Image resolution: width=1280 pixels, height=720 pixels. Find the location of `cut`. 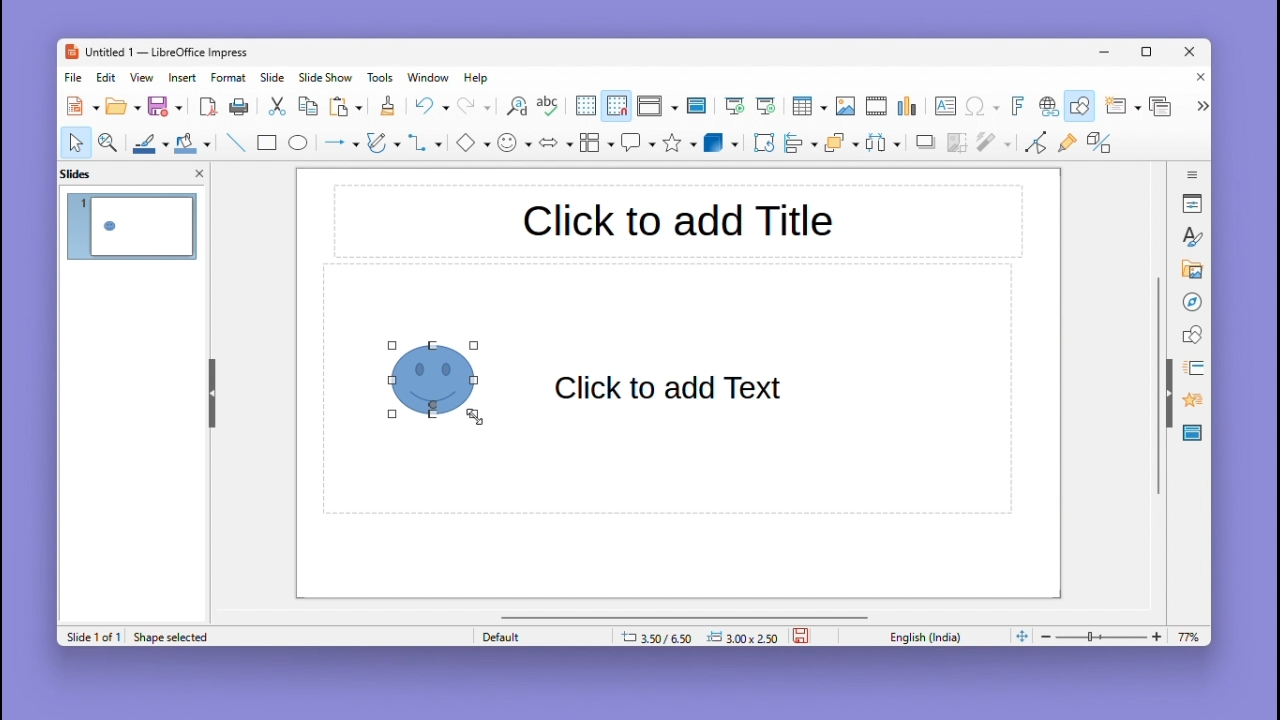

cut is located at coordinates (278, 107).